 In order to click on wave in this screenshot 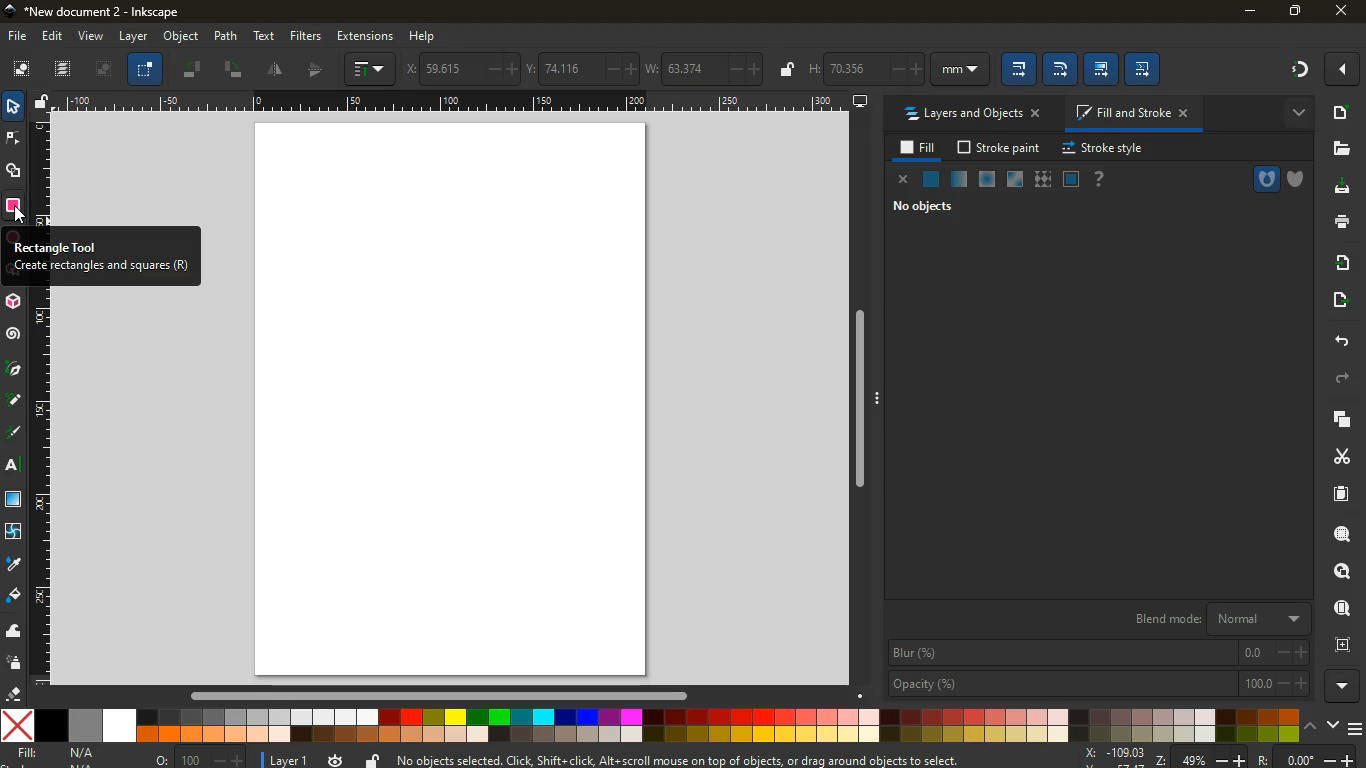, I will do `click(14, 631)`.